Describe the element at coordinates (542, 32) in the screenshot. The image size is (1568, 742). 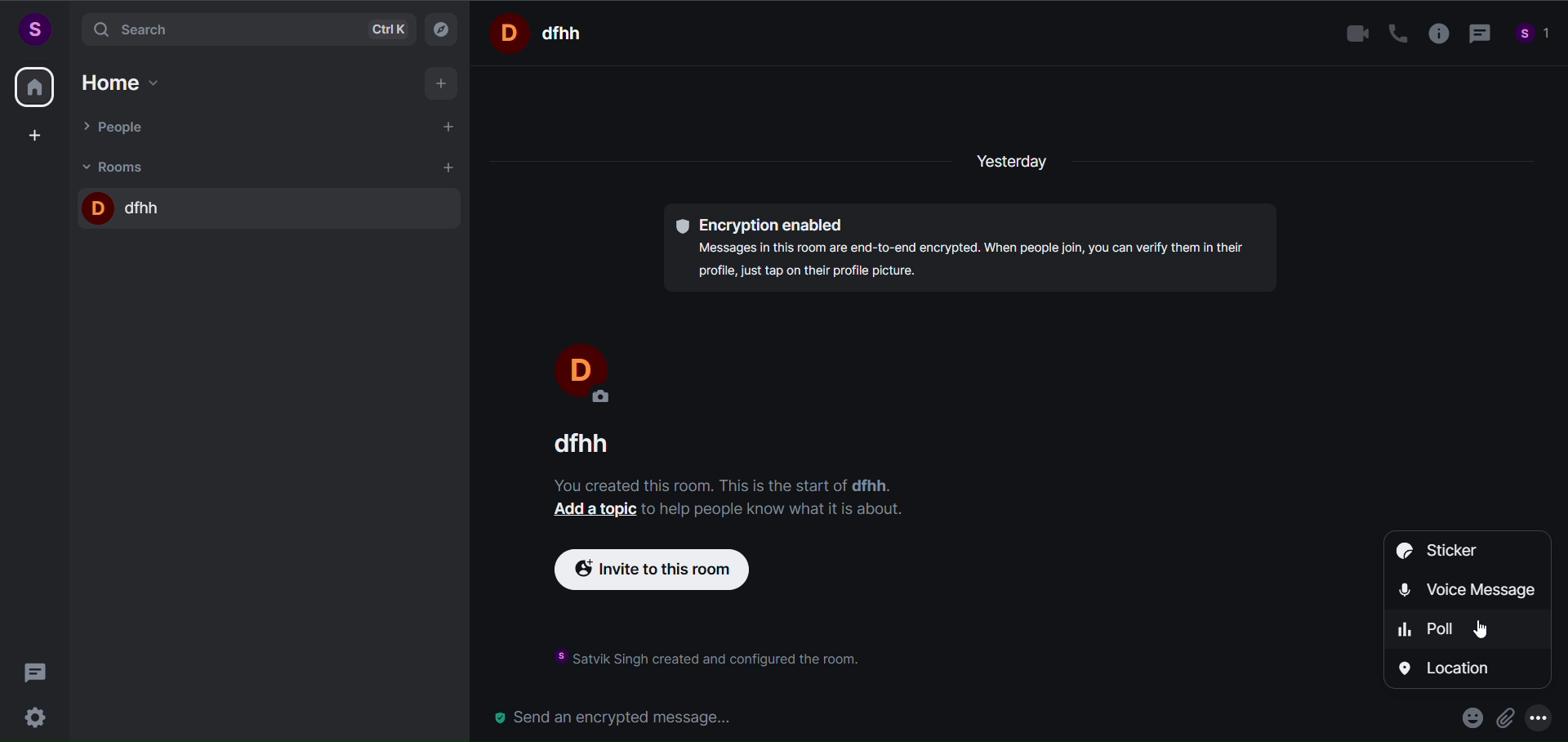
I see `room name` at that location.